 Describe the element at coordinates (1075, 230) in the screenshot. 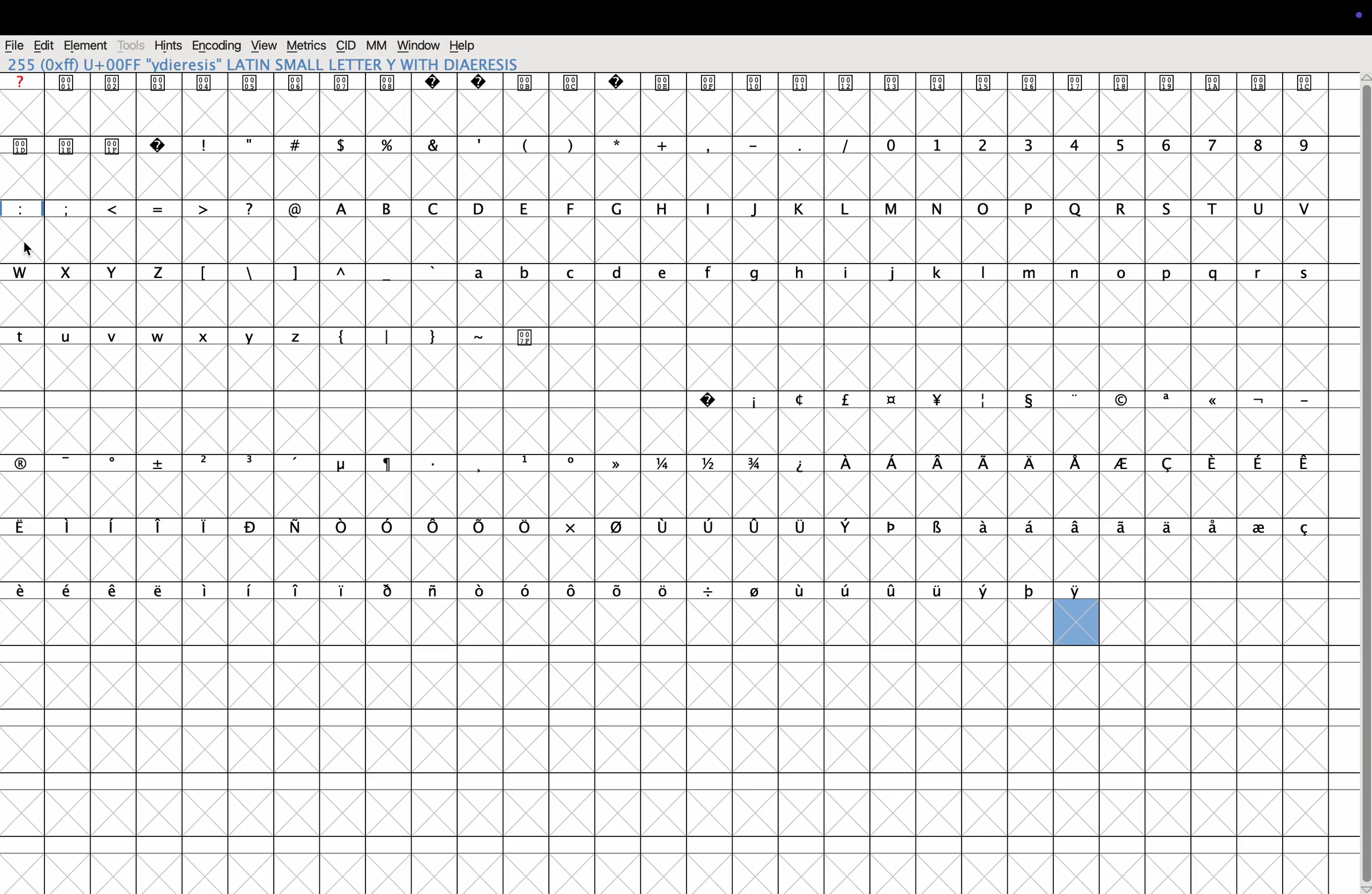

I see `Q` at that location.